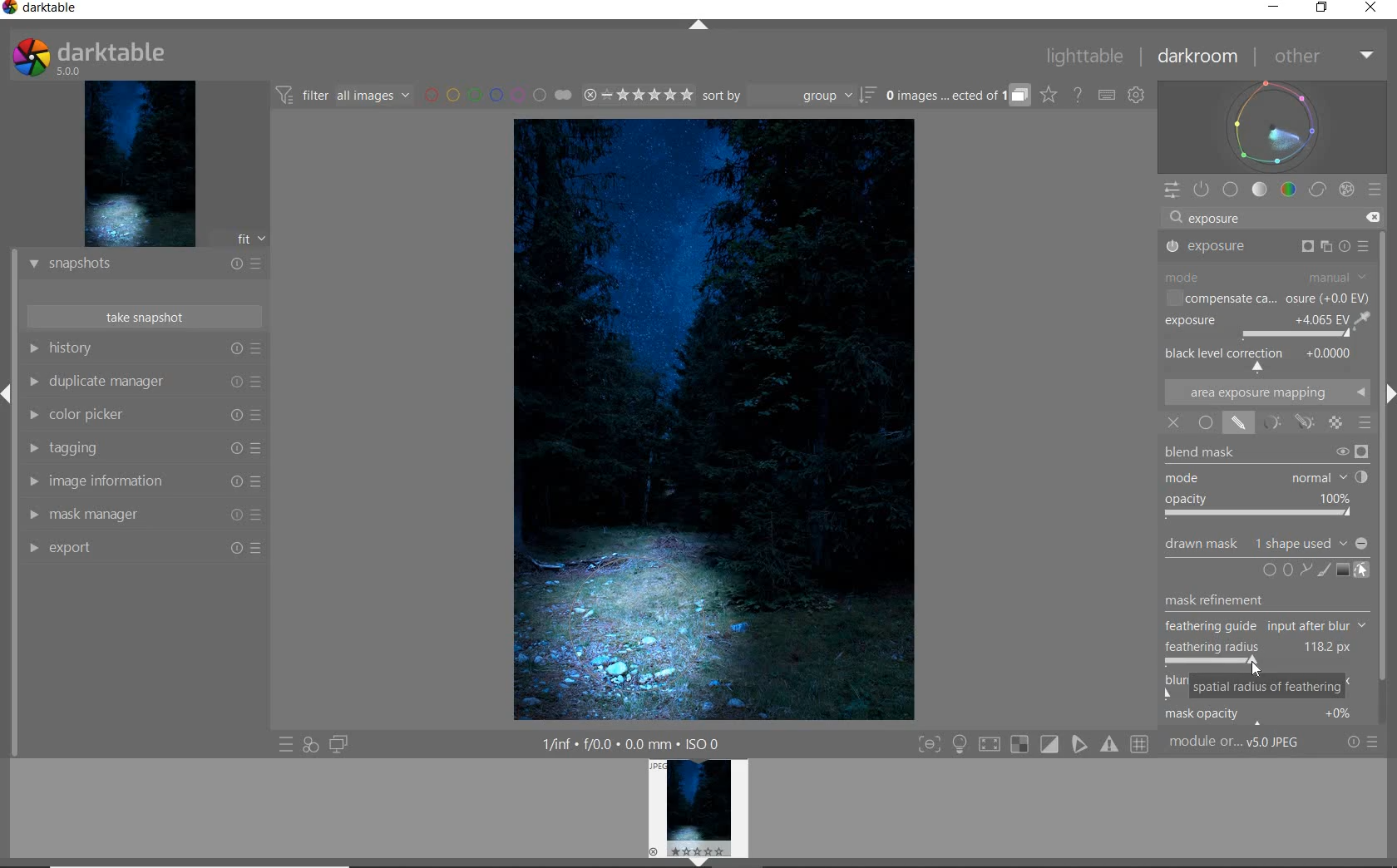 This screenshot has height=868, width=1397. I want to click on MODULE...v5.0 JPEG, so click(1235, 744).